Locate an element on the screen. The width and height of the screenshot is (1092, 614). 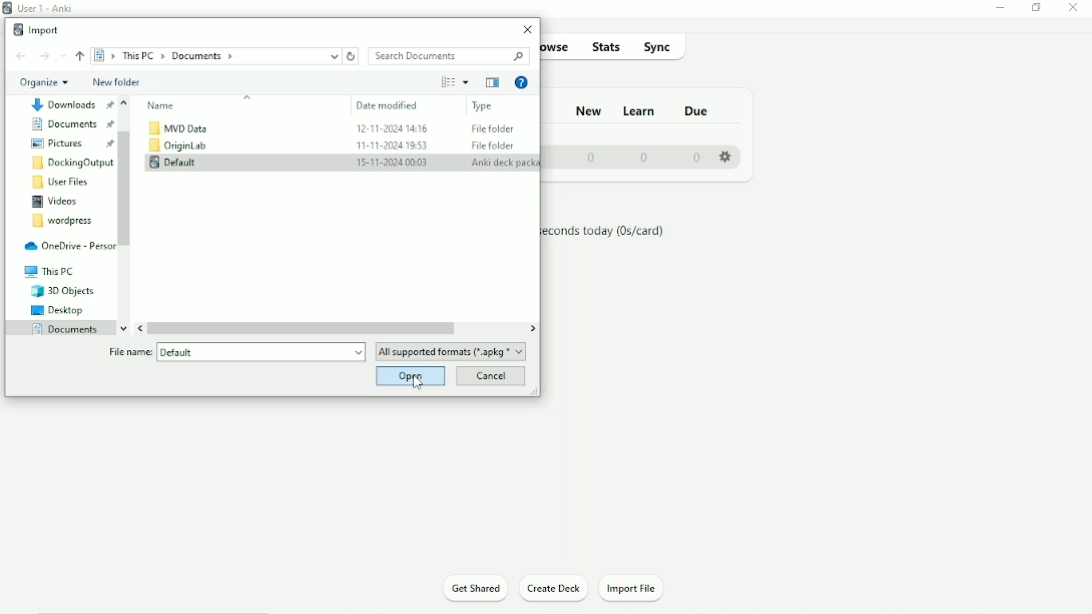
Up to "This PC" is located at coordinates (80, 57).